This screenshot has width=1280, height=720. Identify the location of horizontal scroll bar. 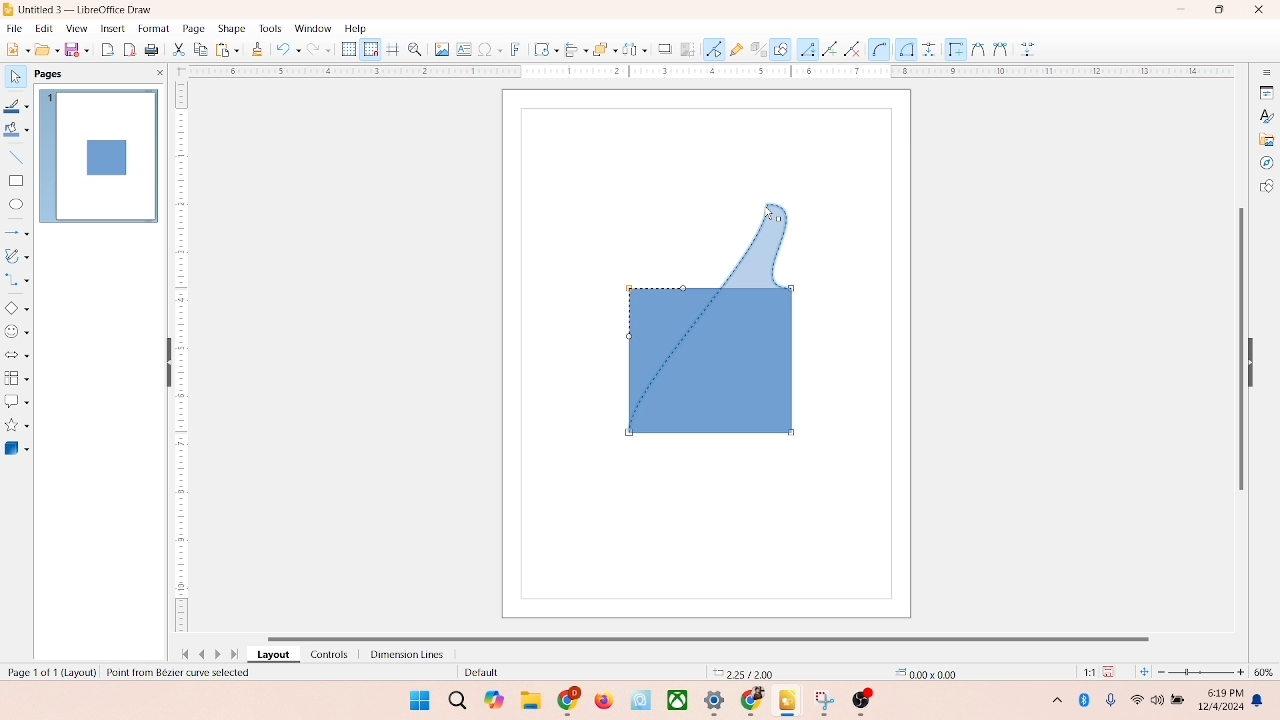
(724, 636).